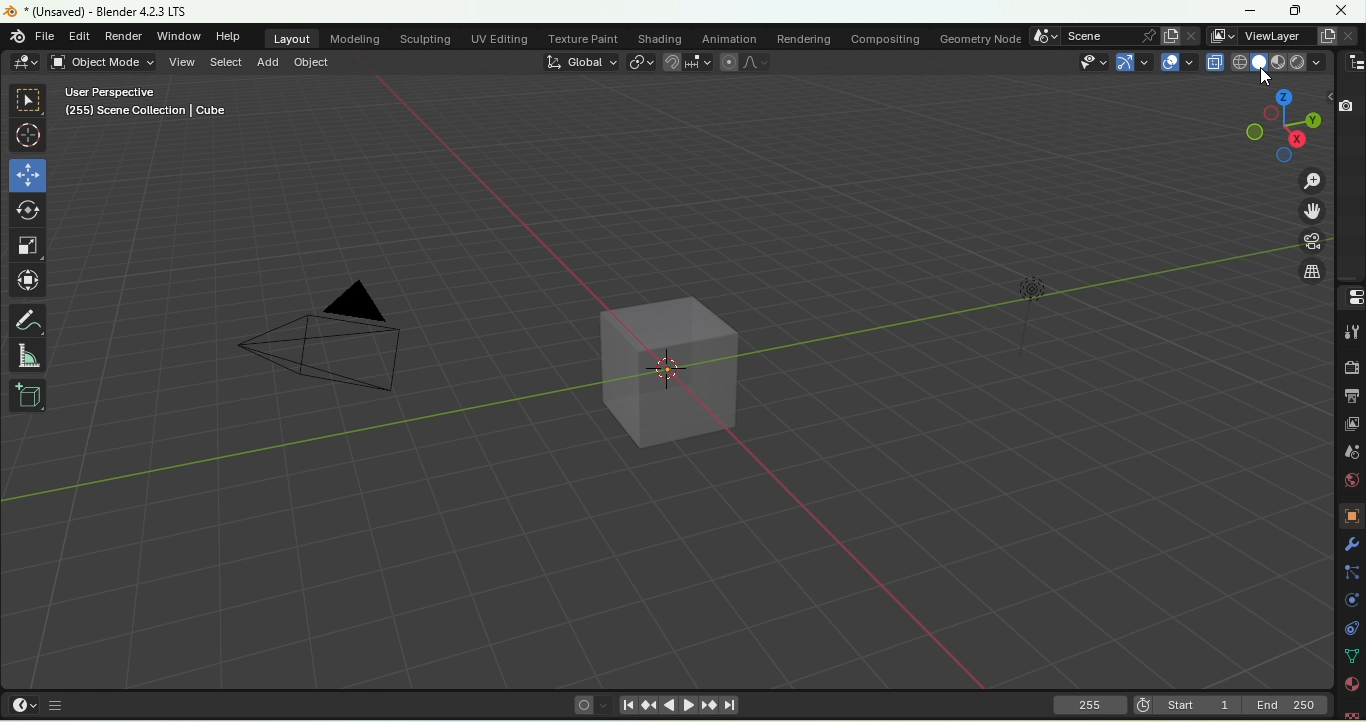  I want to click on Delete scene, so click(1192, 35).